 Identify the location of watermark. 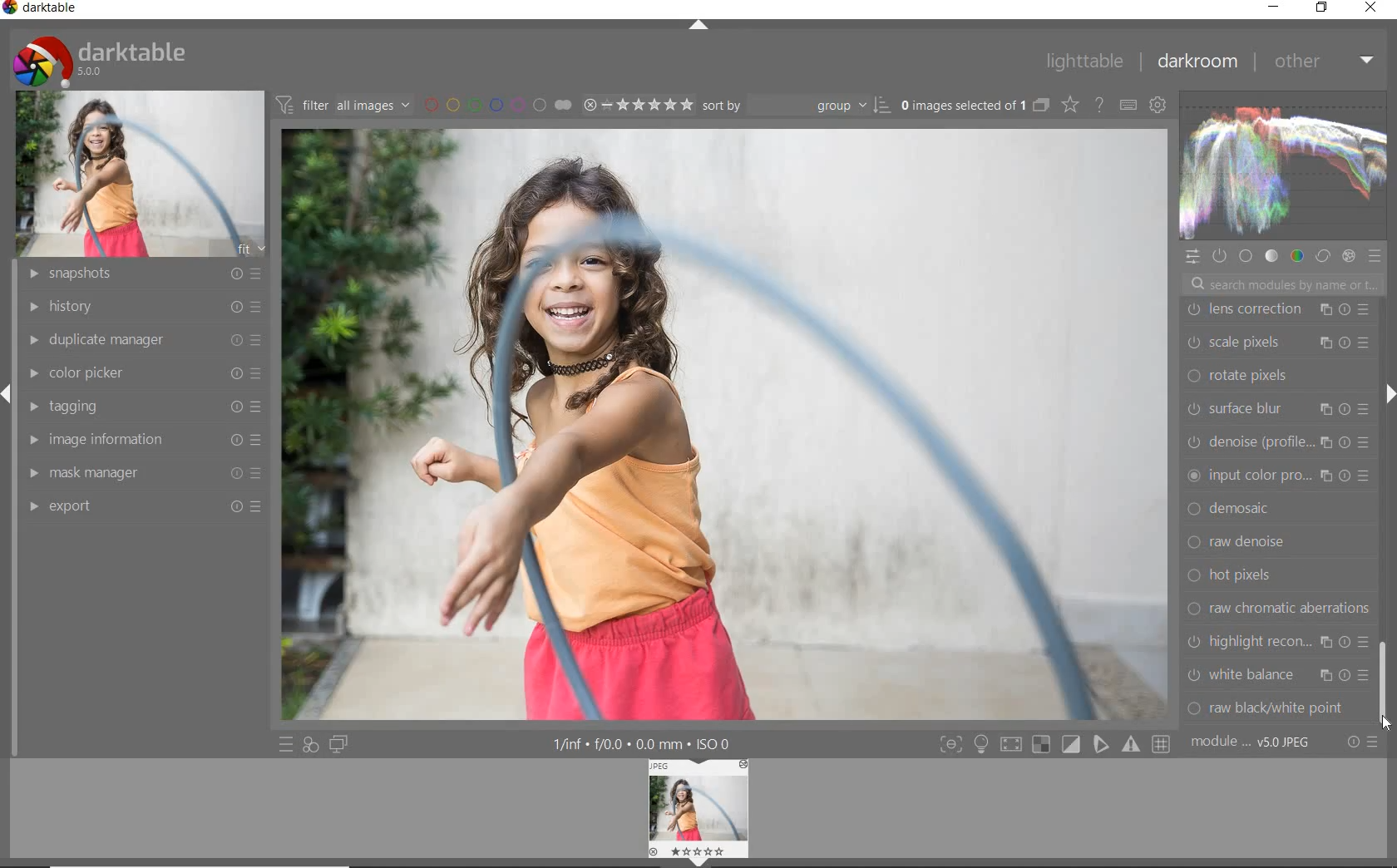
(1279, 313).